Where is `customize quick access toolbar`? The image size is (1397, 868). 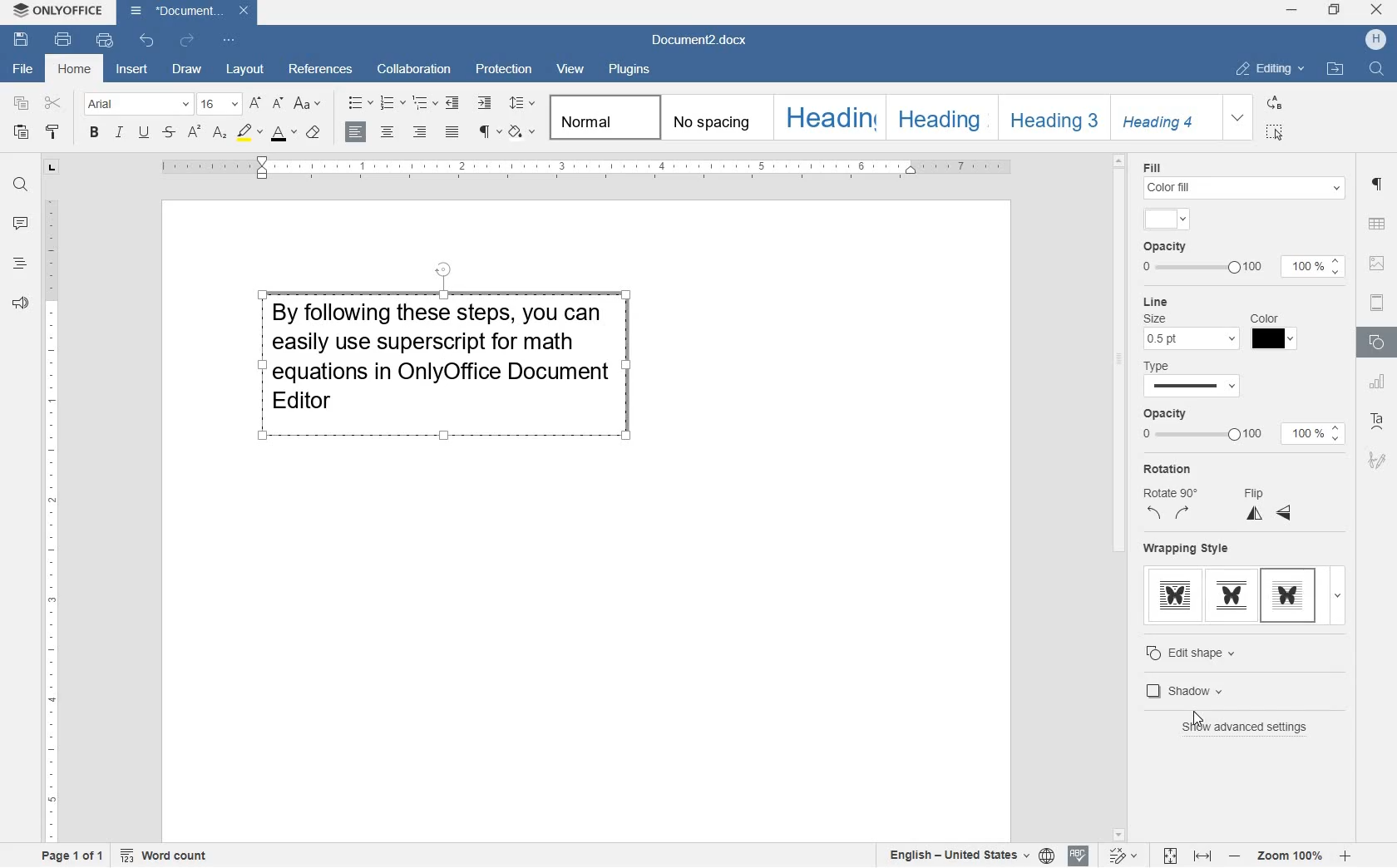
customize quick access toolbar is located at coordinates (230, 41).